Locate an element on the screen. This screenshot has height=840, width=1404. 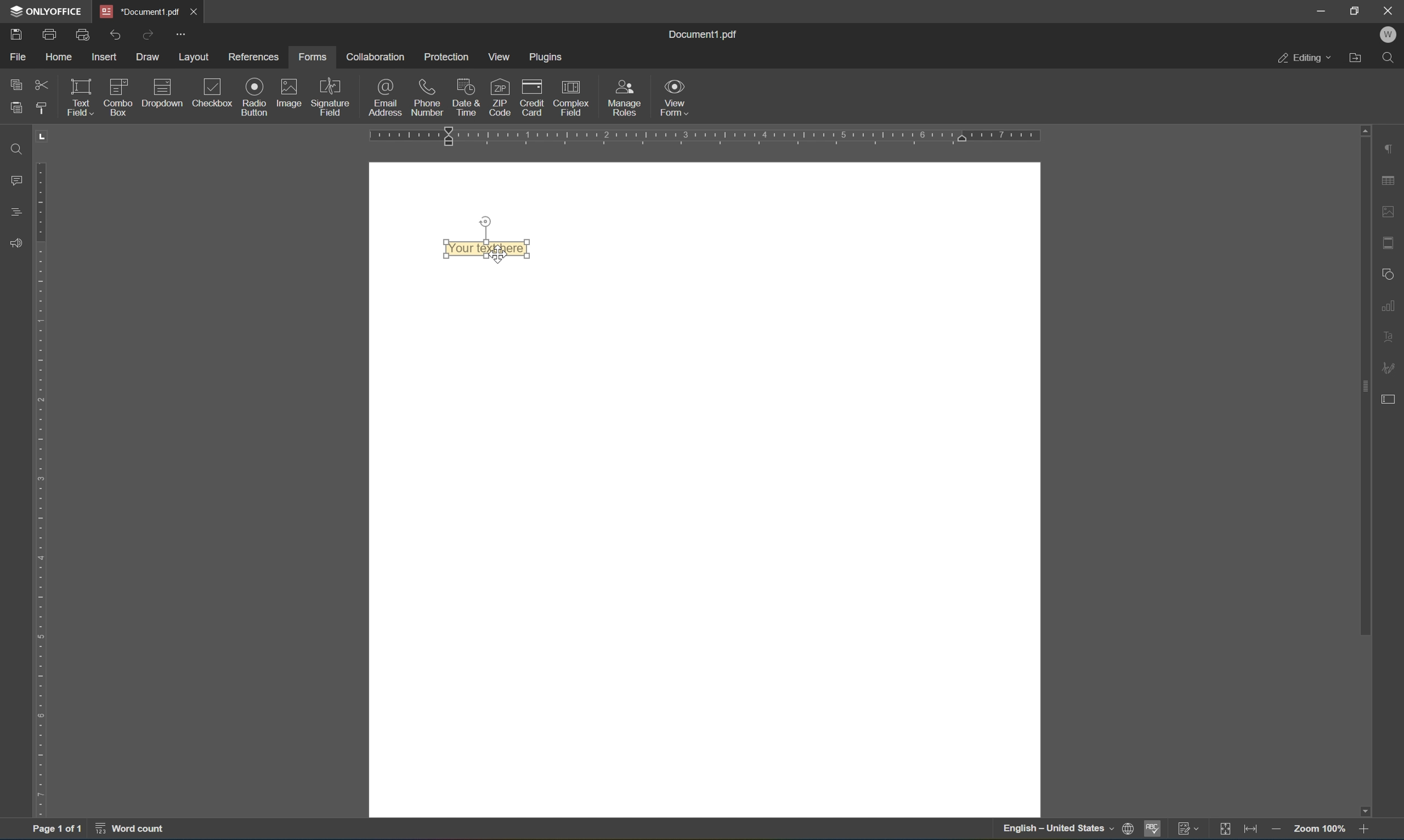
word count is located at coordinates (134, 830).